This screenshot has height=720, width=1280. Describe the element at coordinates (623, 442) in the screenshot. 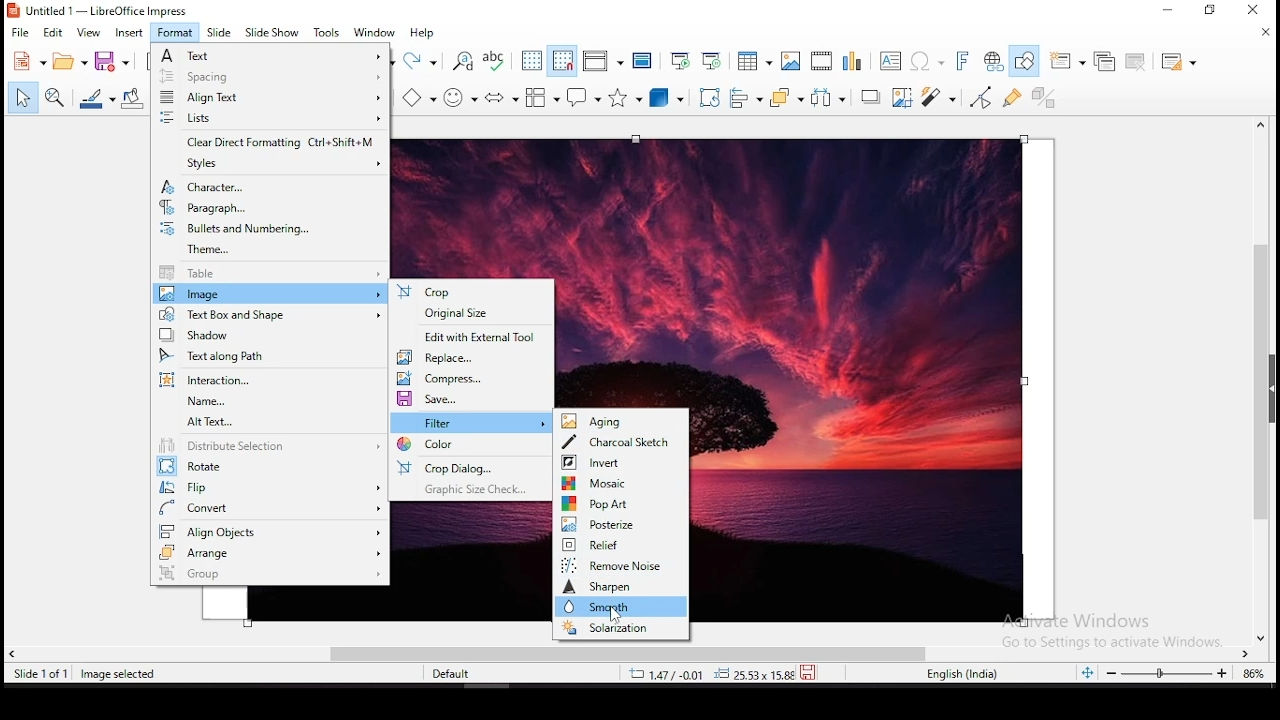

I see `charcoal sketch` at that location.